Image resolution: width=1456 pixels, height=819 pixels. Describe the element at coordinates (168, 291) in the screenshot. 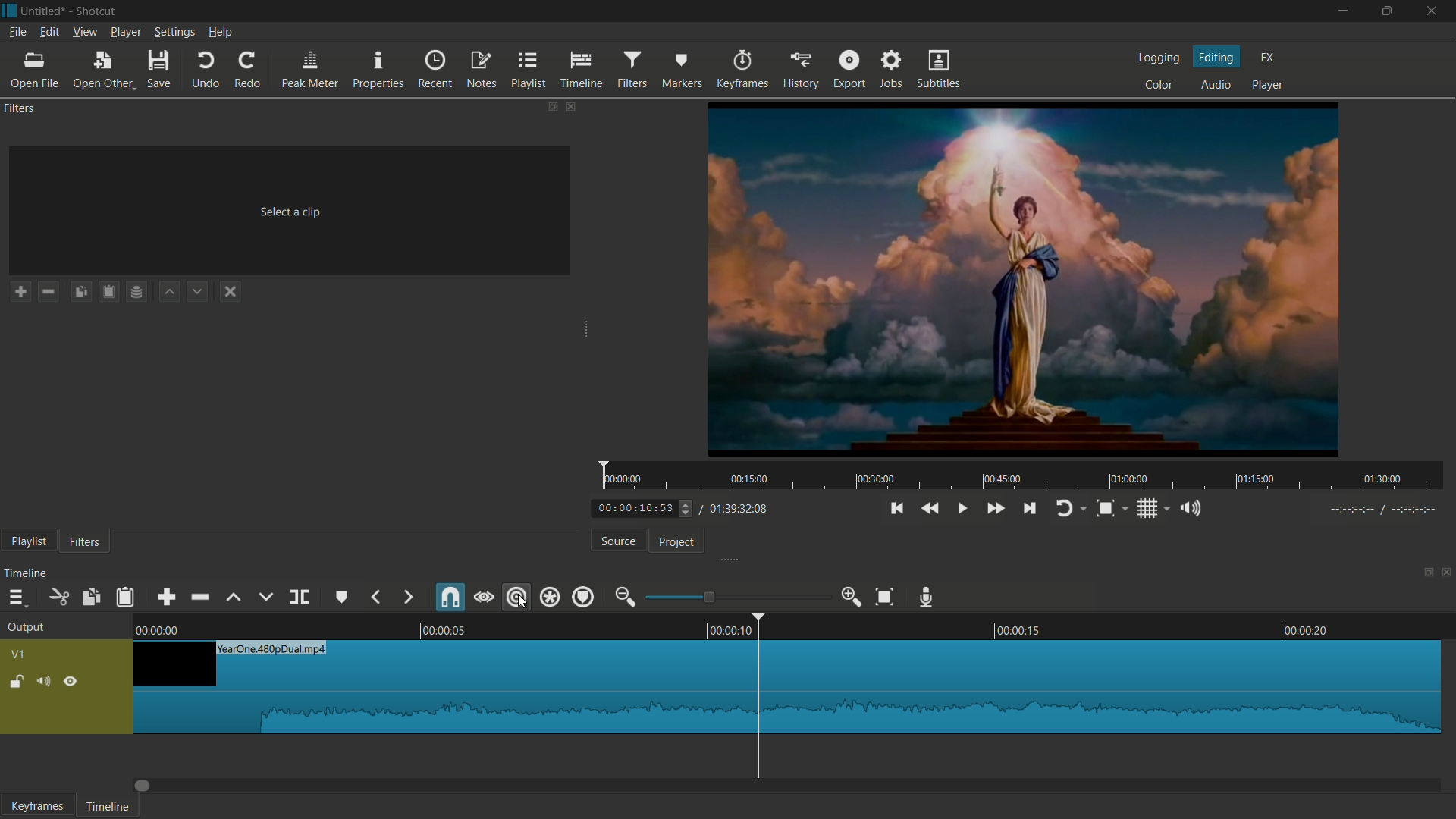

I see `move filter up` at that location.